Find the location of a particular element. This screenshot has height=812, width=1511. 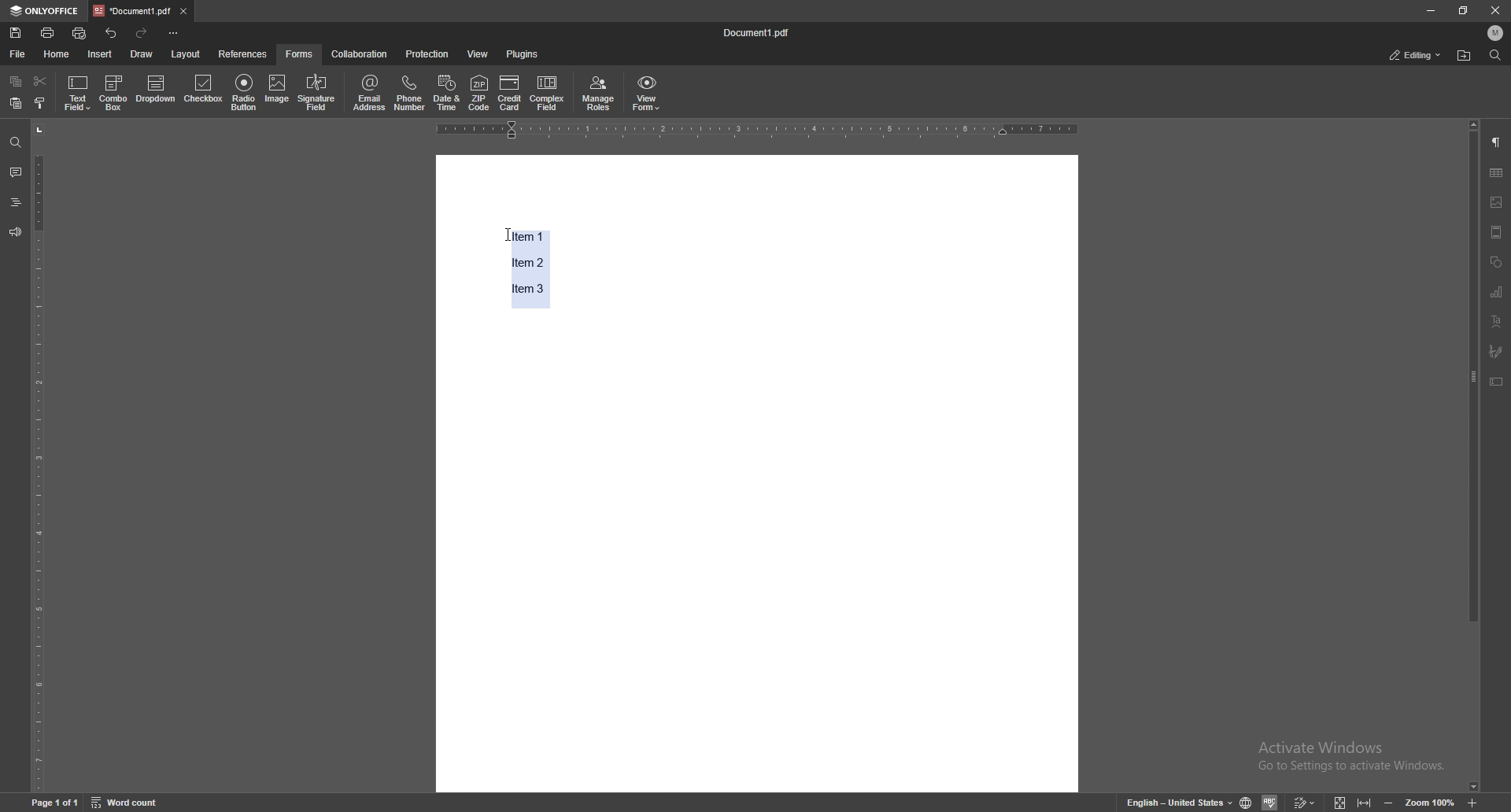

heading is located at coordinates (15, 202).